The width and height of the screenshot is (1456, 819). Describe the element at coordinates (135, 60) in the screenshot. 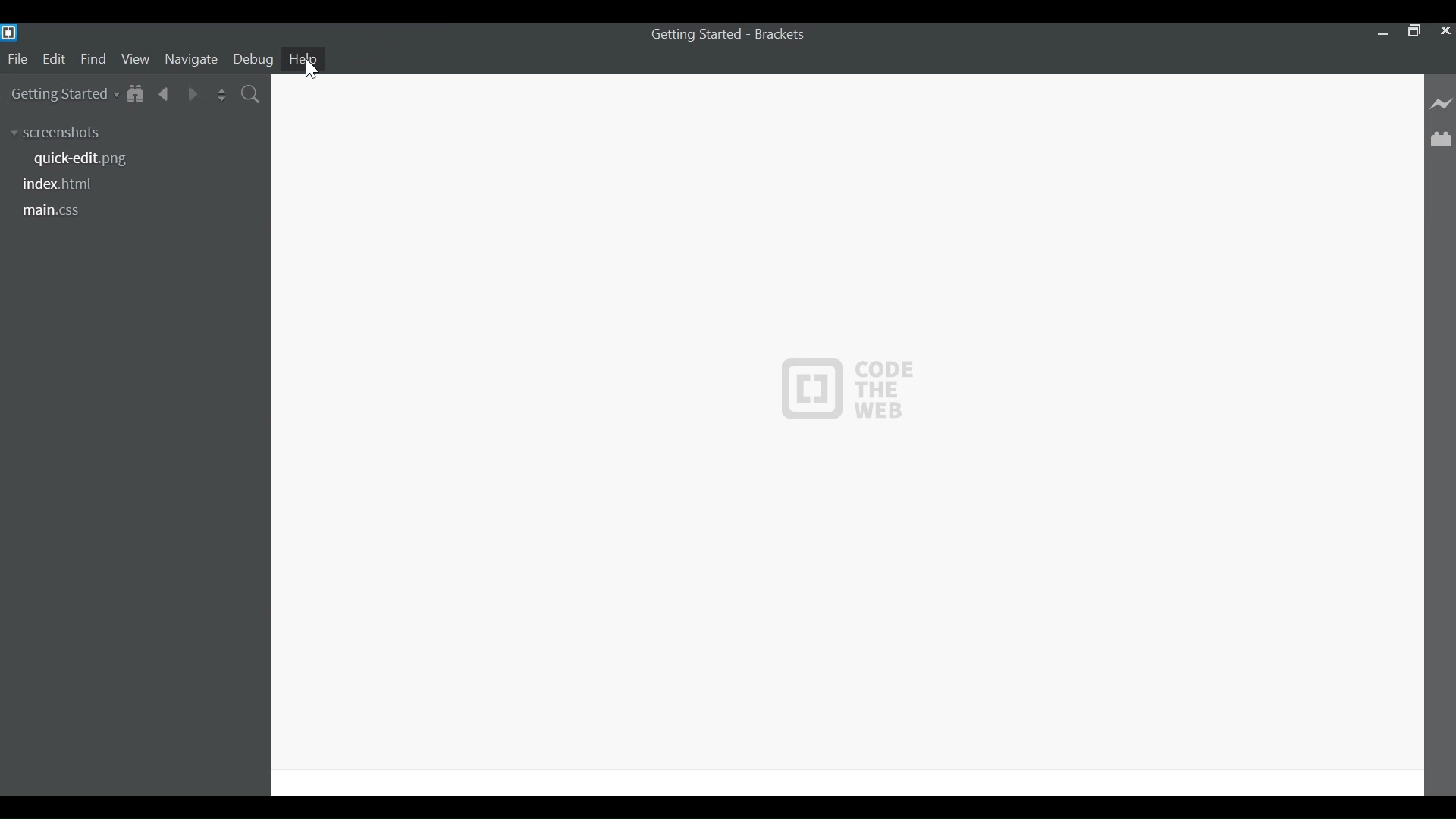

I see `View` at that location.